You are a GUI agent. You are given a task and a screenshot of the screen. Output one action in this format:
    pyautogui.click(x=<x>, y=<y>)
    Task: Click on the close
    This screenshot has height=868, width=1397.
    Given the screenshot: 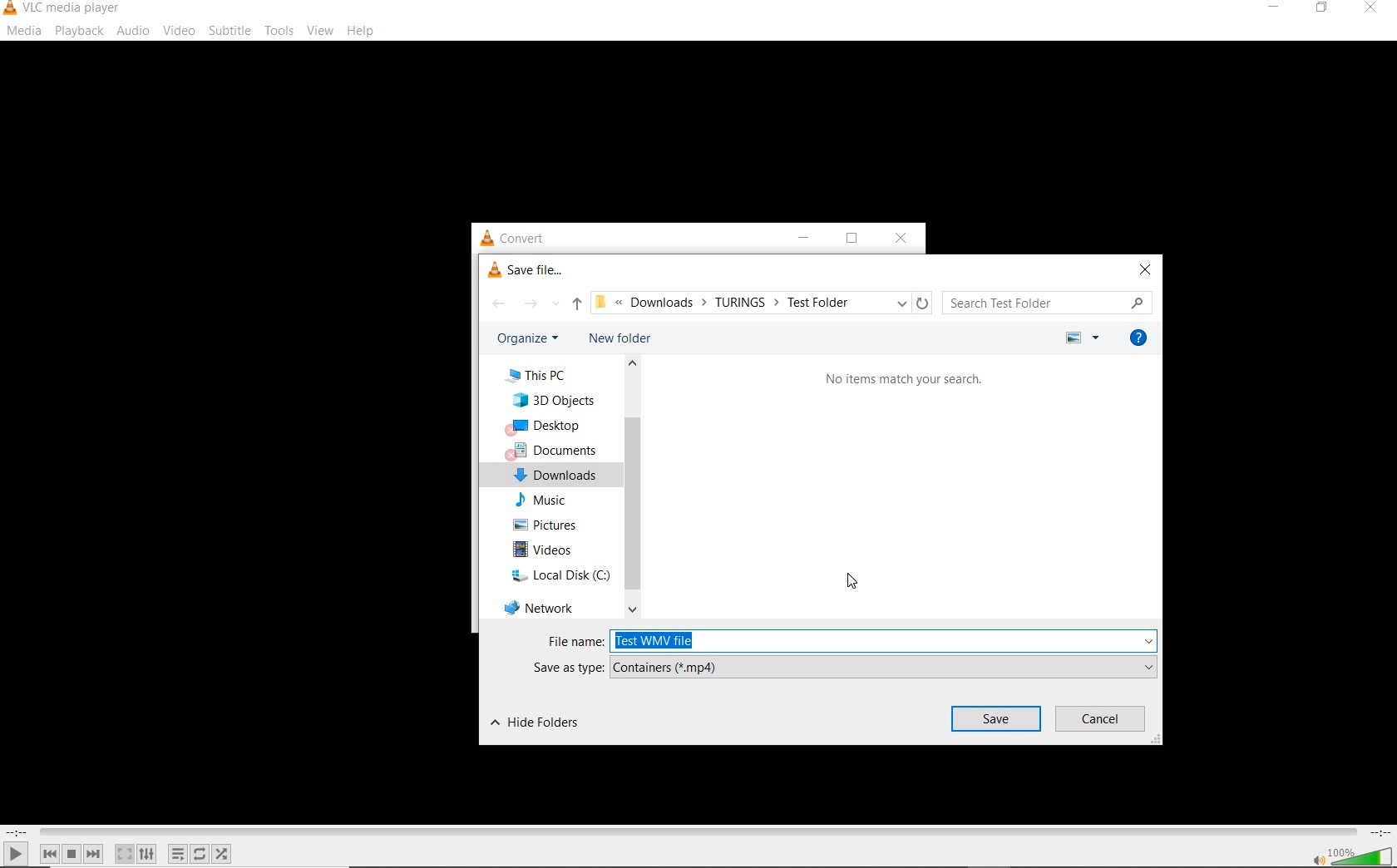 What is the action you would take?
    pyautogui.click(x=1146, y=269)
    